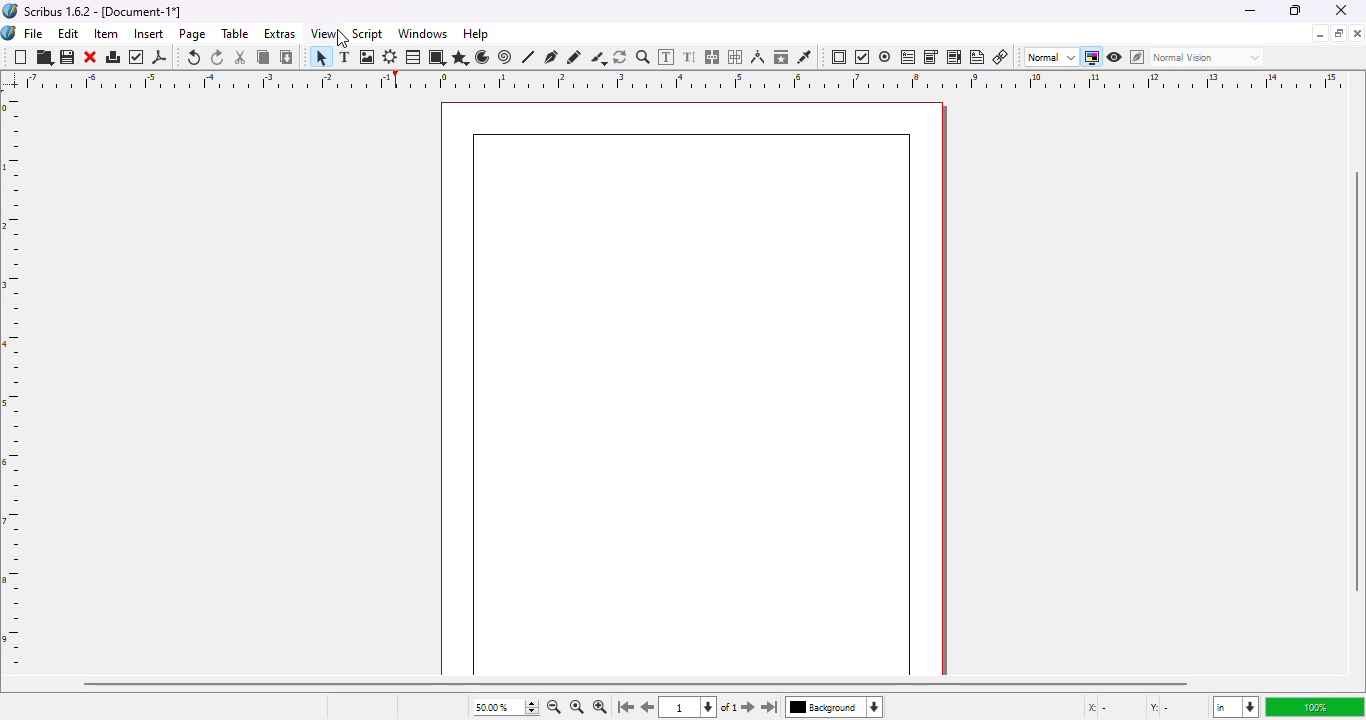  I want to click on link text frames, so click(713, 57).